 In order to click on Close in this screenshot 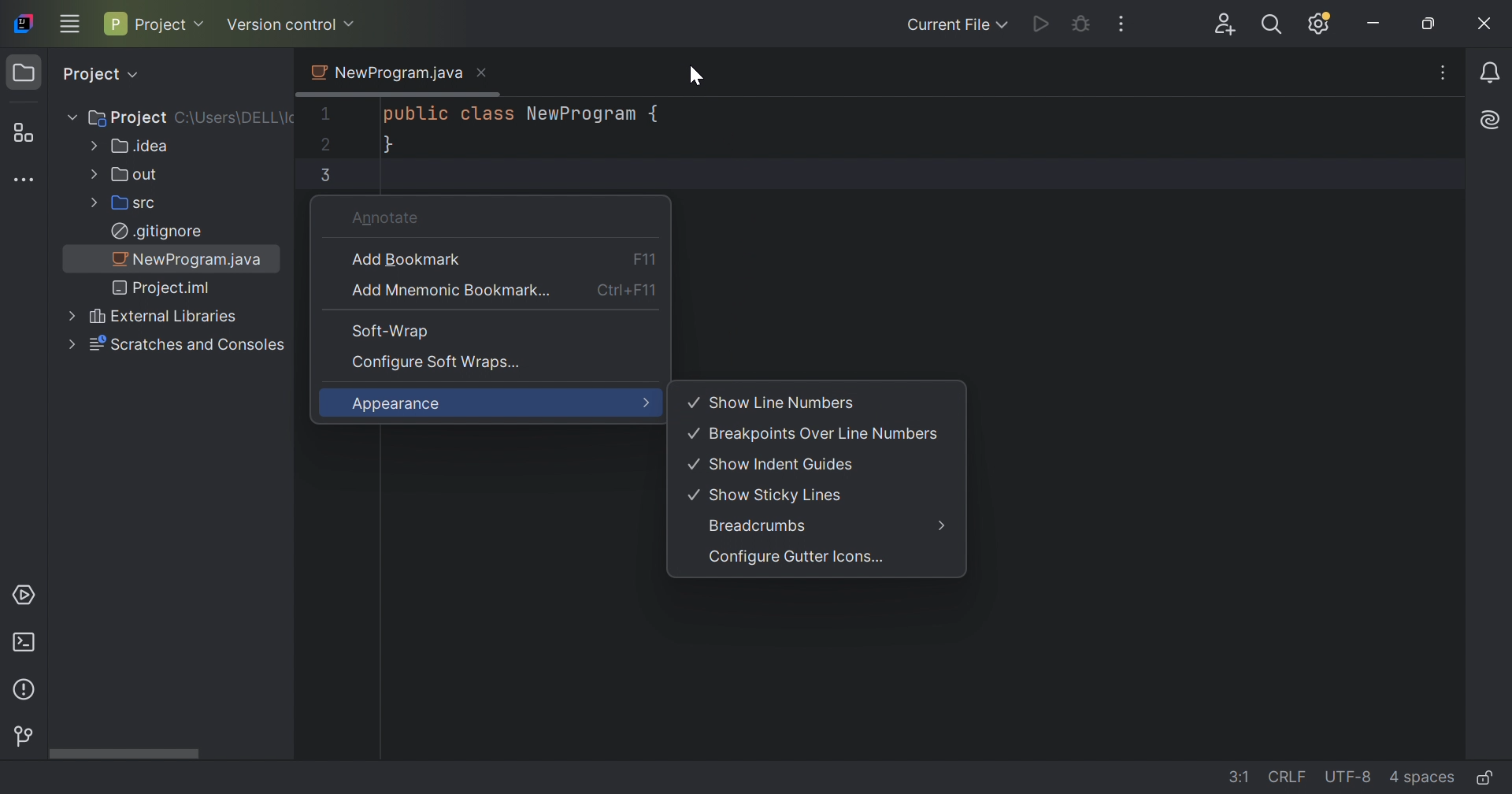, I will do `click(481, 72)`.